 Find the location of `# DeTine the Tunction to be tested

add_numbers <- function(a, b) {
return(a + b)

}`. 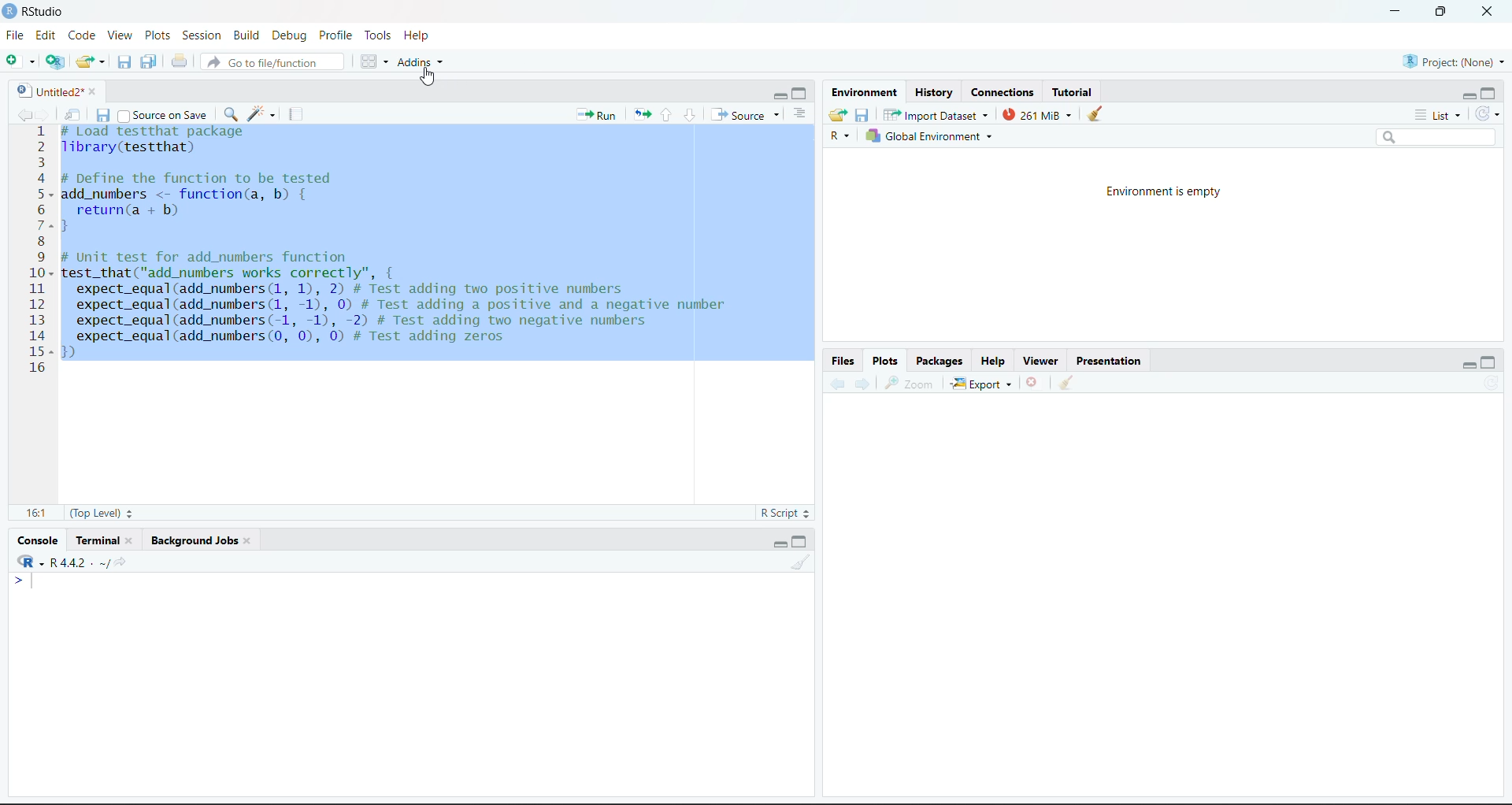

# DeTine the Tunction to be tested

add_numbers <- function(a, b) {
return(a + b)

} is located at coordinates (198, 204).